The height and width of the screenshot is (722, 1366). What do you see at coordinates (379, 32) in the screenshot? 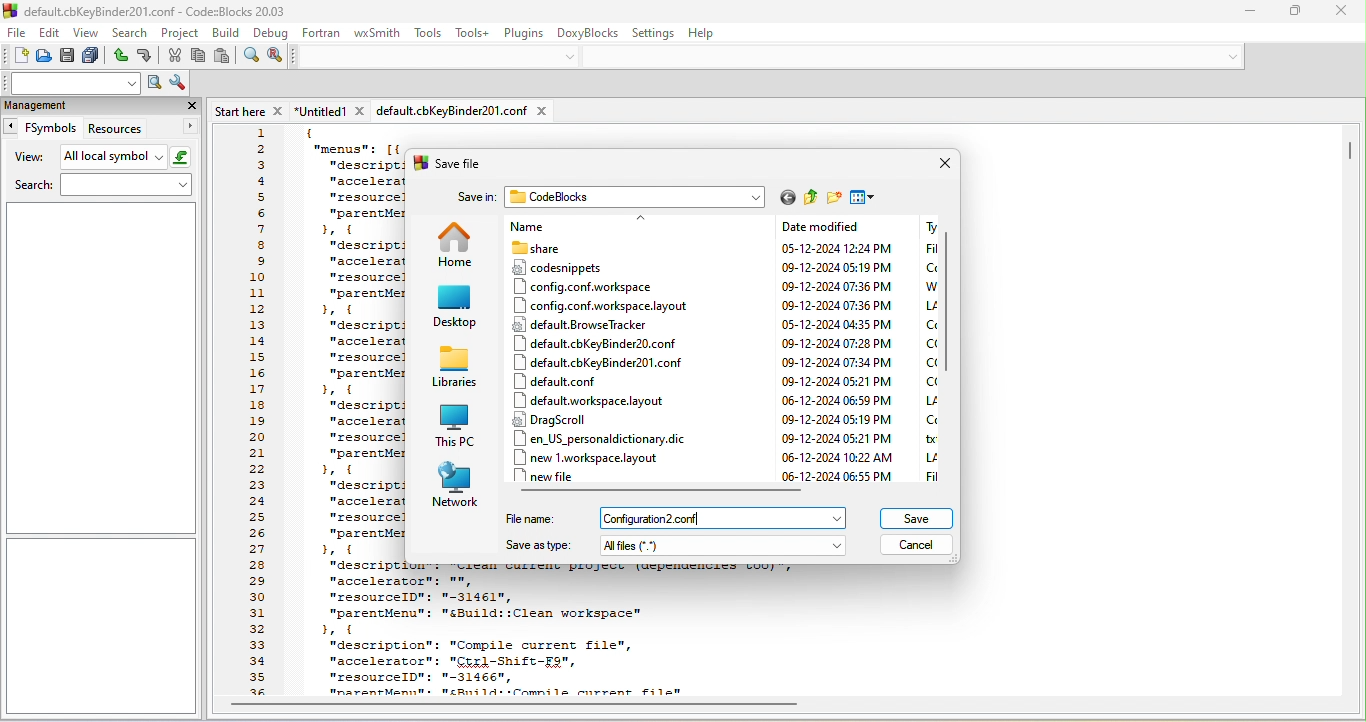
I see `wxsmith` at bounding box center [379, 32].